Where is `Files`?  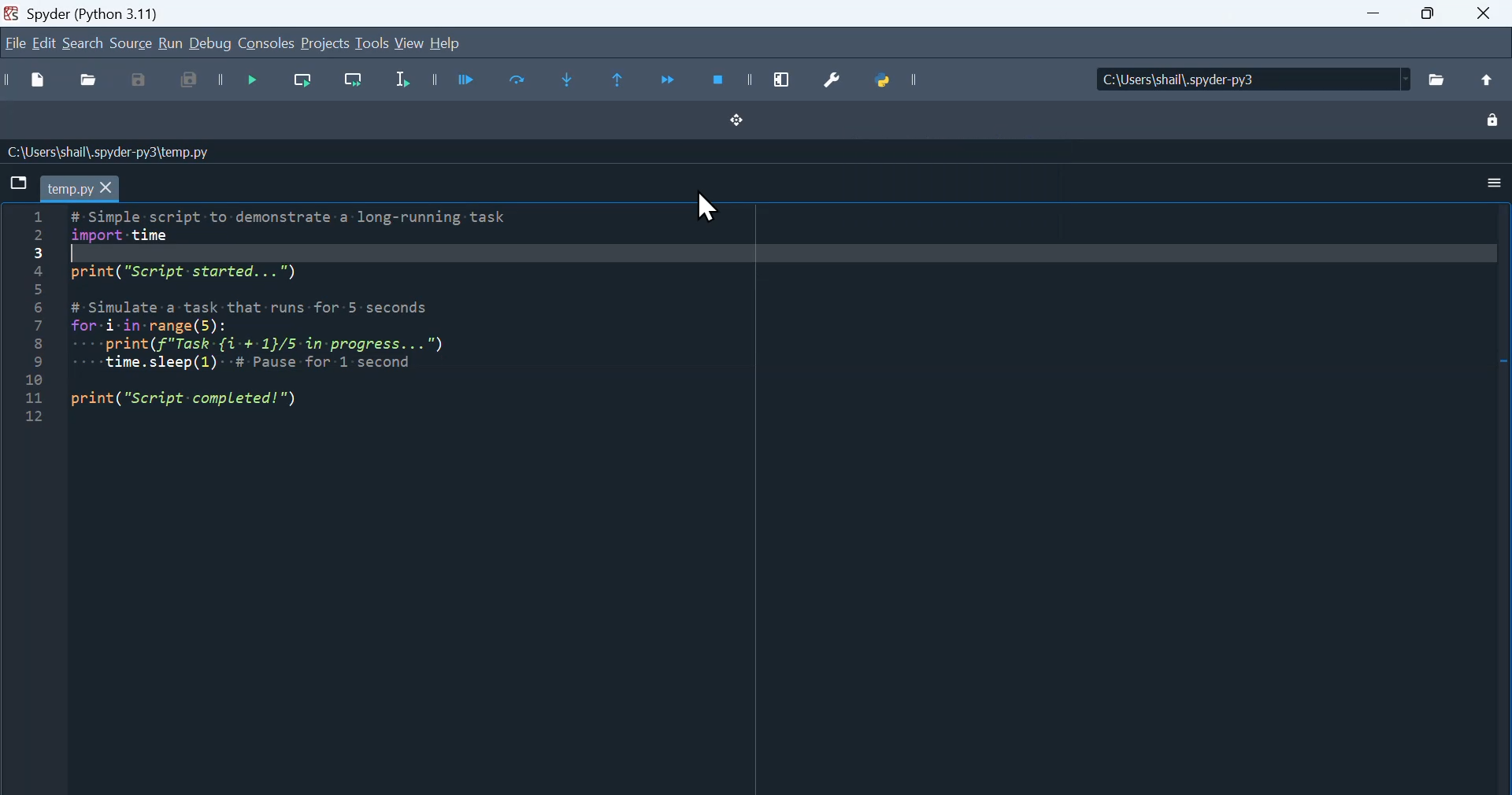
Files is located at coordinates (1438, 76).